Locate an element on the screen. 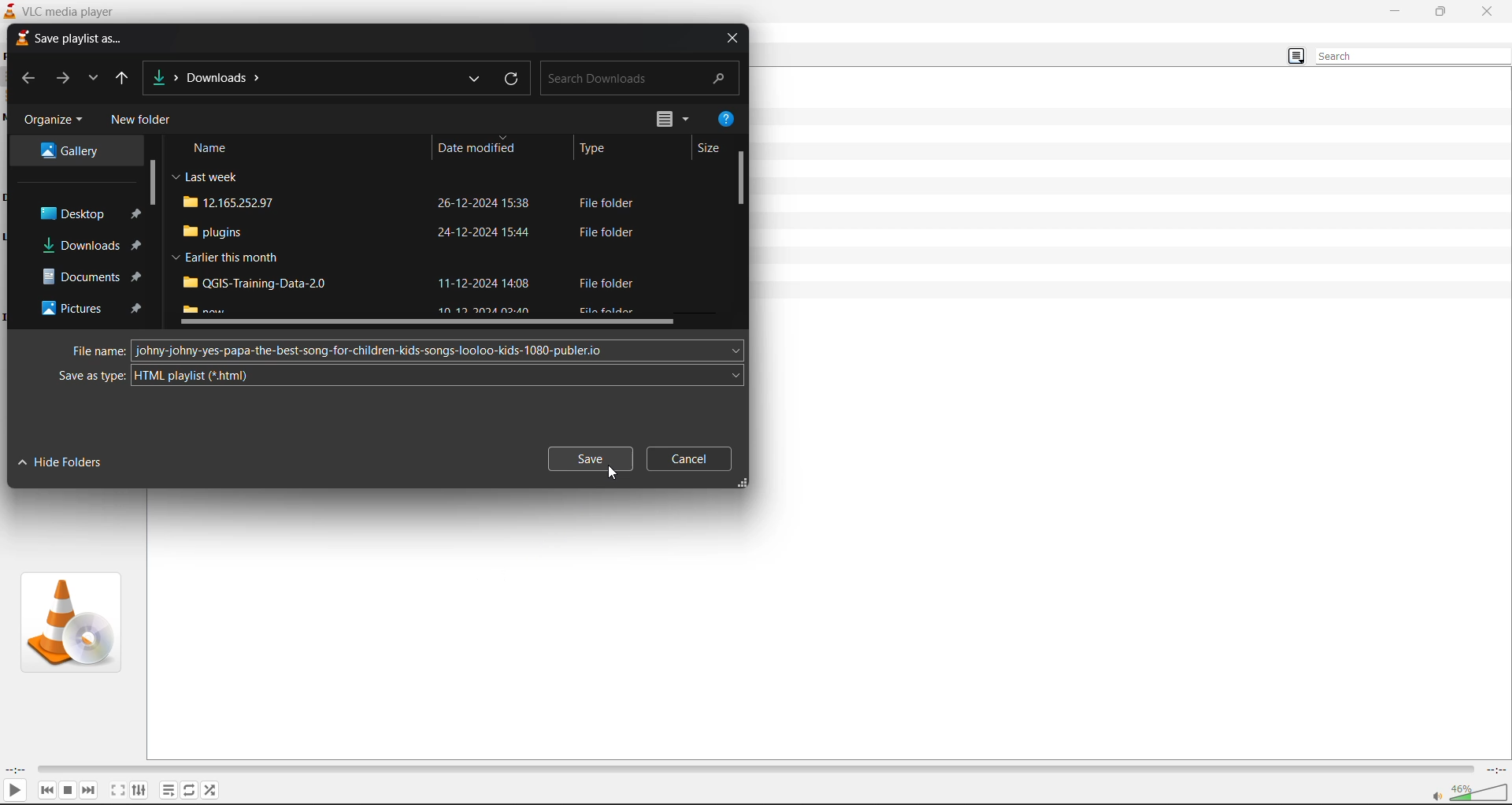 This screenshot has width=1512, height=805. previous locations is located at coordinates (472, 80).